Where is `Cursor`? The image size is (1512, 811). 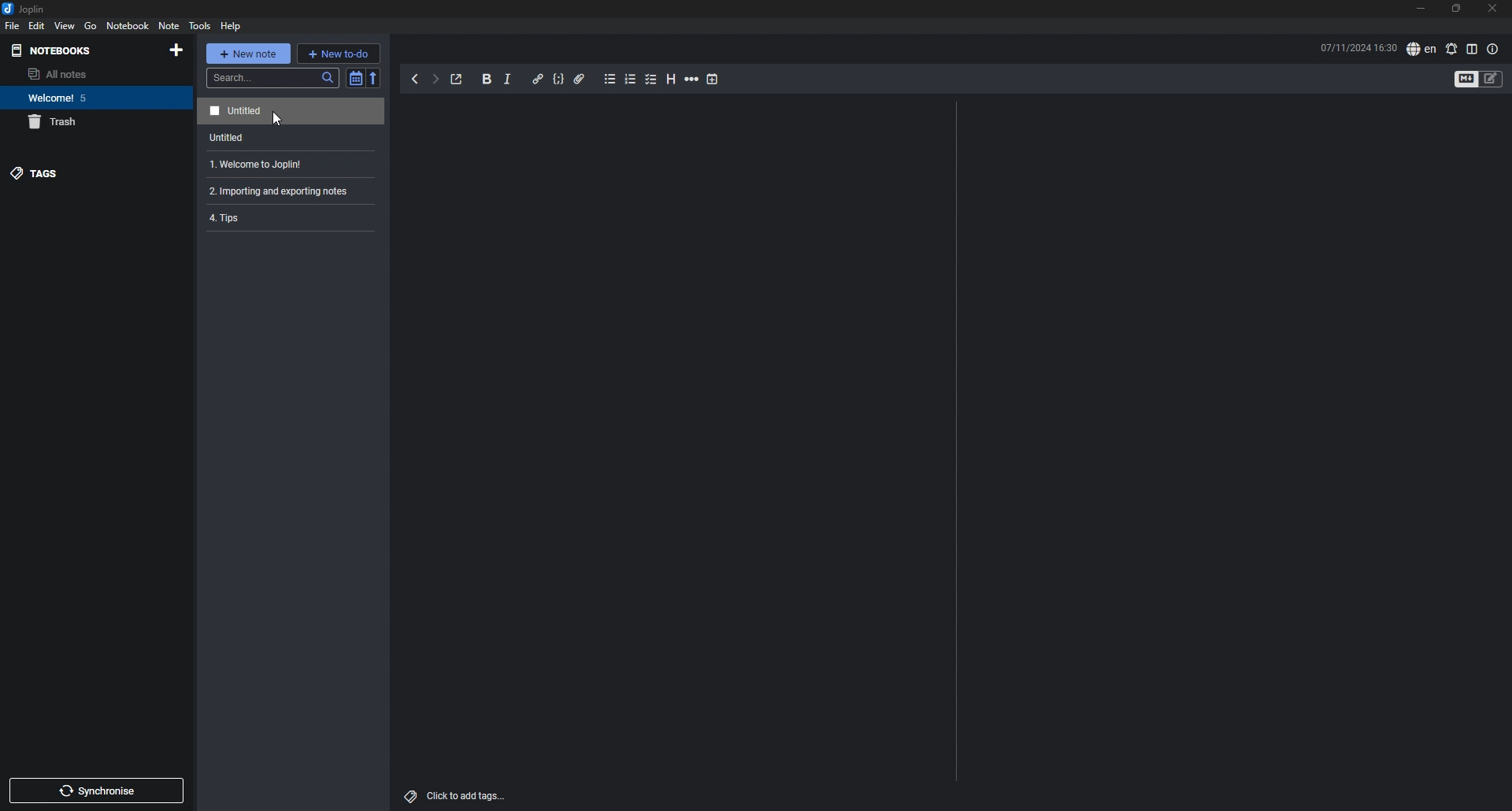
Cursor is located at coordinates (274, 120).